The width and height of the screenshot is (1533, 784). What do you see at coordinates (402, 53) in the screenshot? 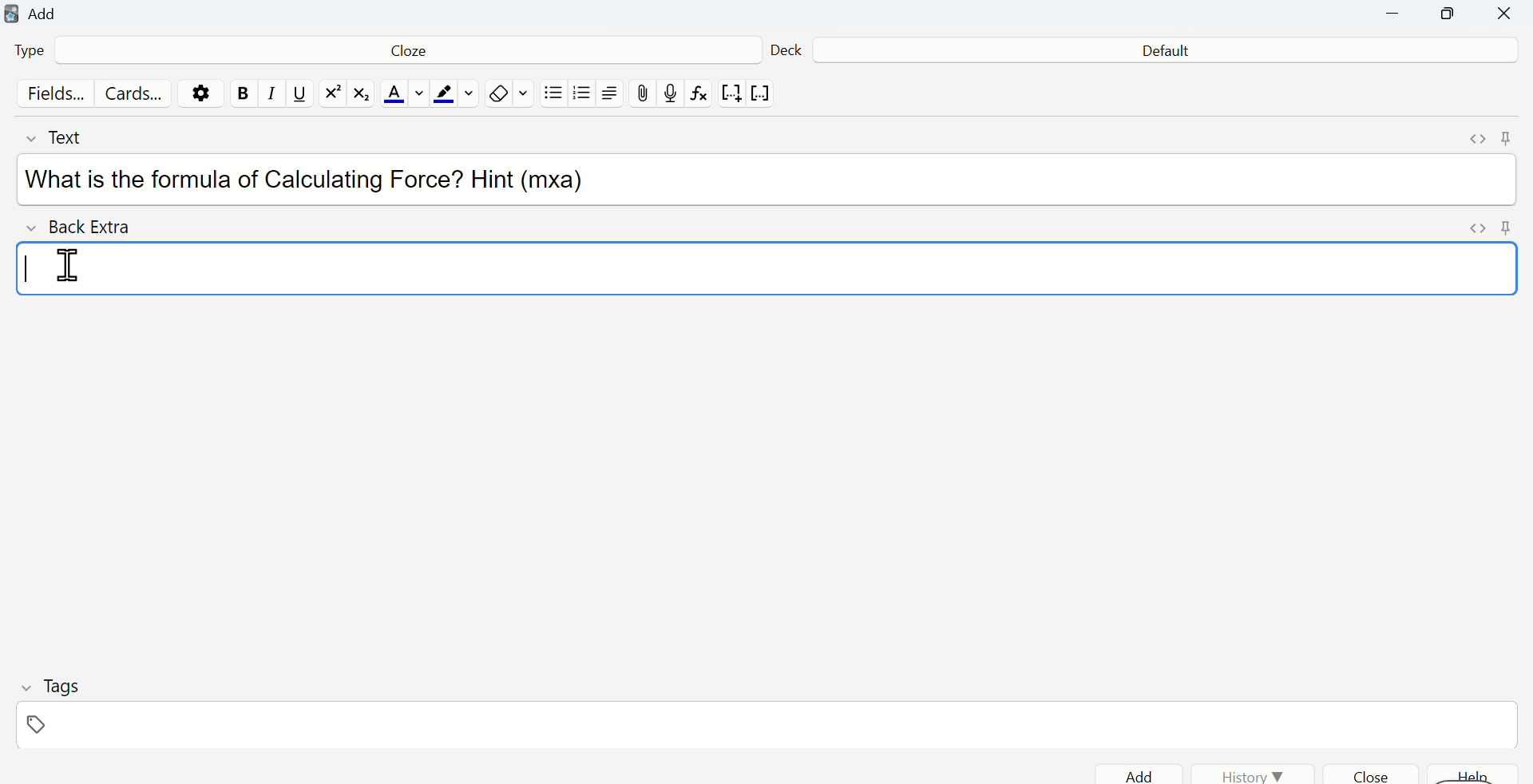
I see `Cloze` at bounding box center [402, 53].